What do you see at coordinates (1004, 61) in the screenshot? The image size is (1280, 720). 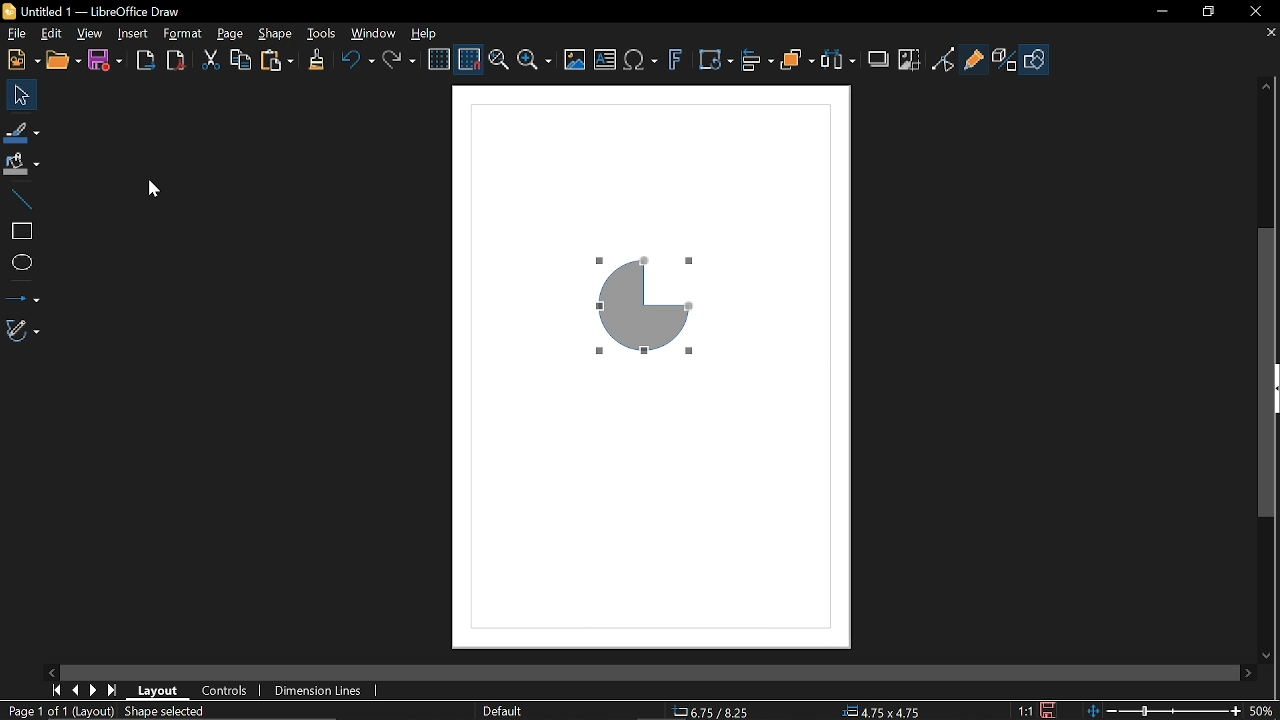 I see `Toggle extrusion` at bounding box center [1004, 61].